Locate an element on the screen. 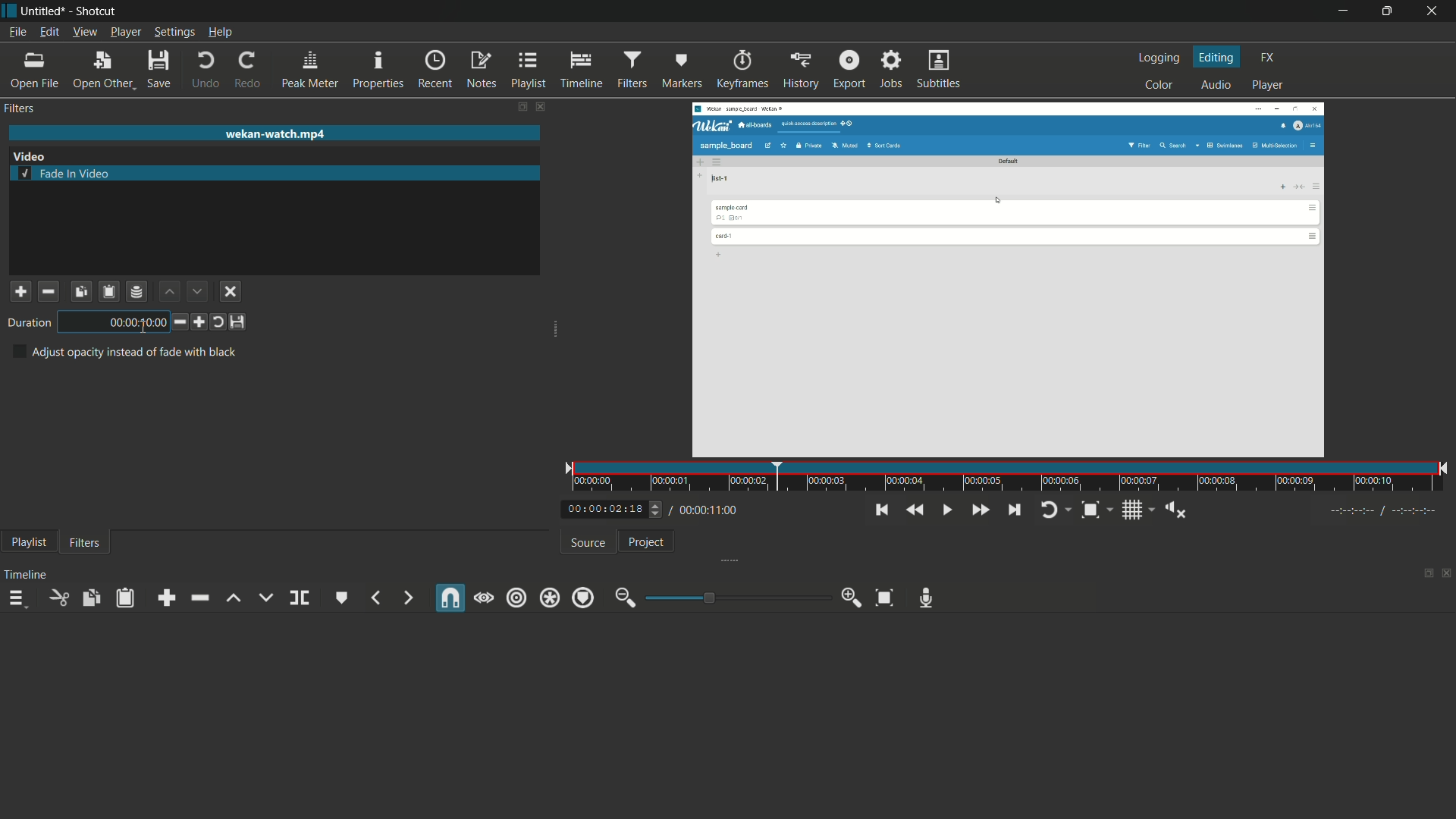 The width and height of the screenshot is (1456, 819). help menu is located at coordinates (222, 32).